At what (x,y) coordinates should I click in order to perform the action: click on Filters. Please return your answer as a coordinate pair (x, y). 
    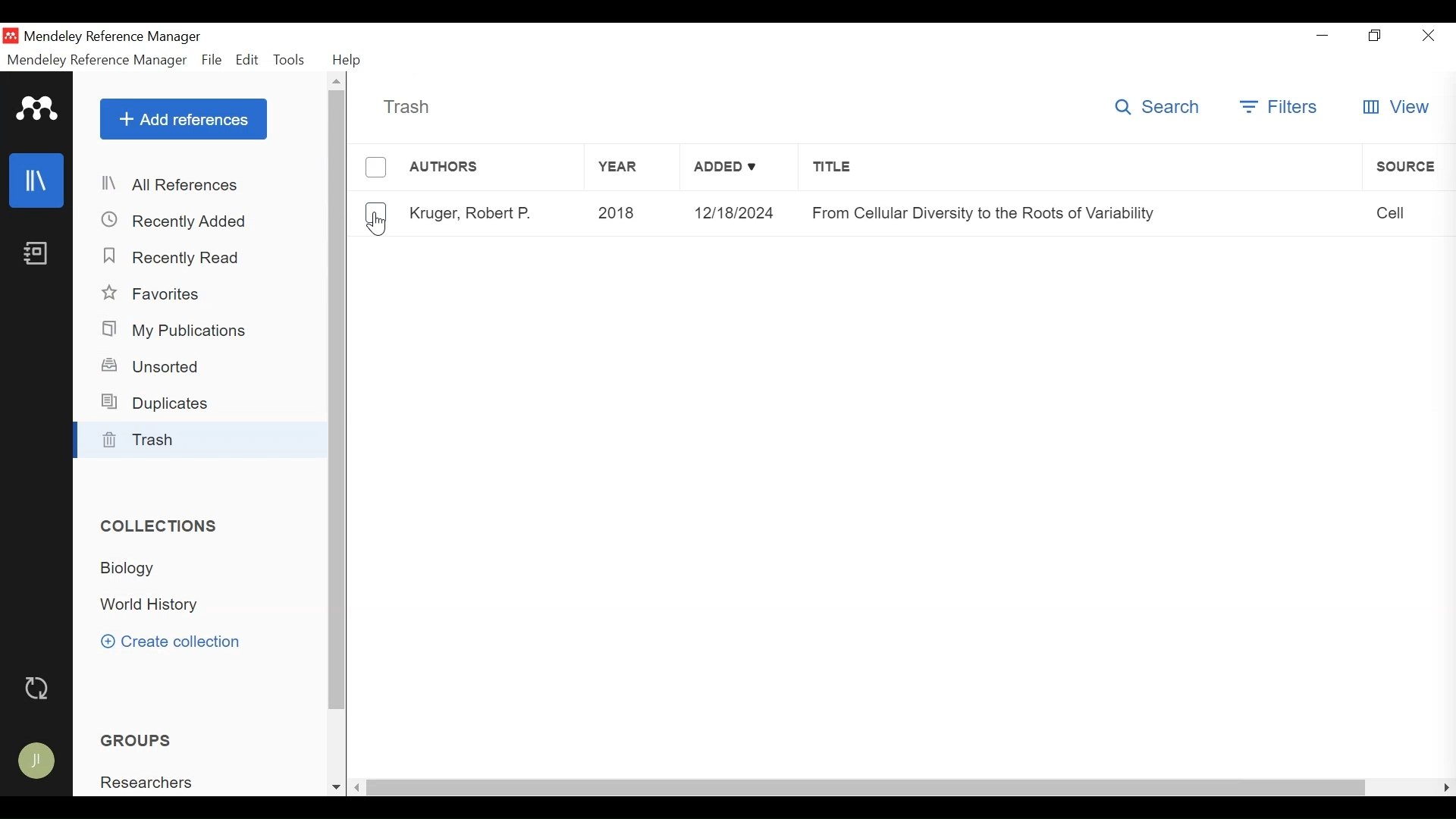
    Looking at the image, I should click on (1278, 108).